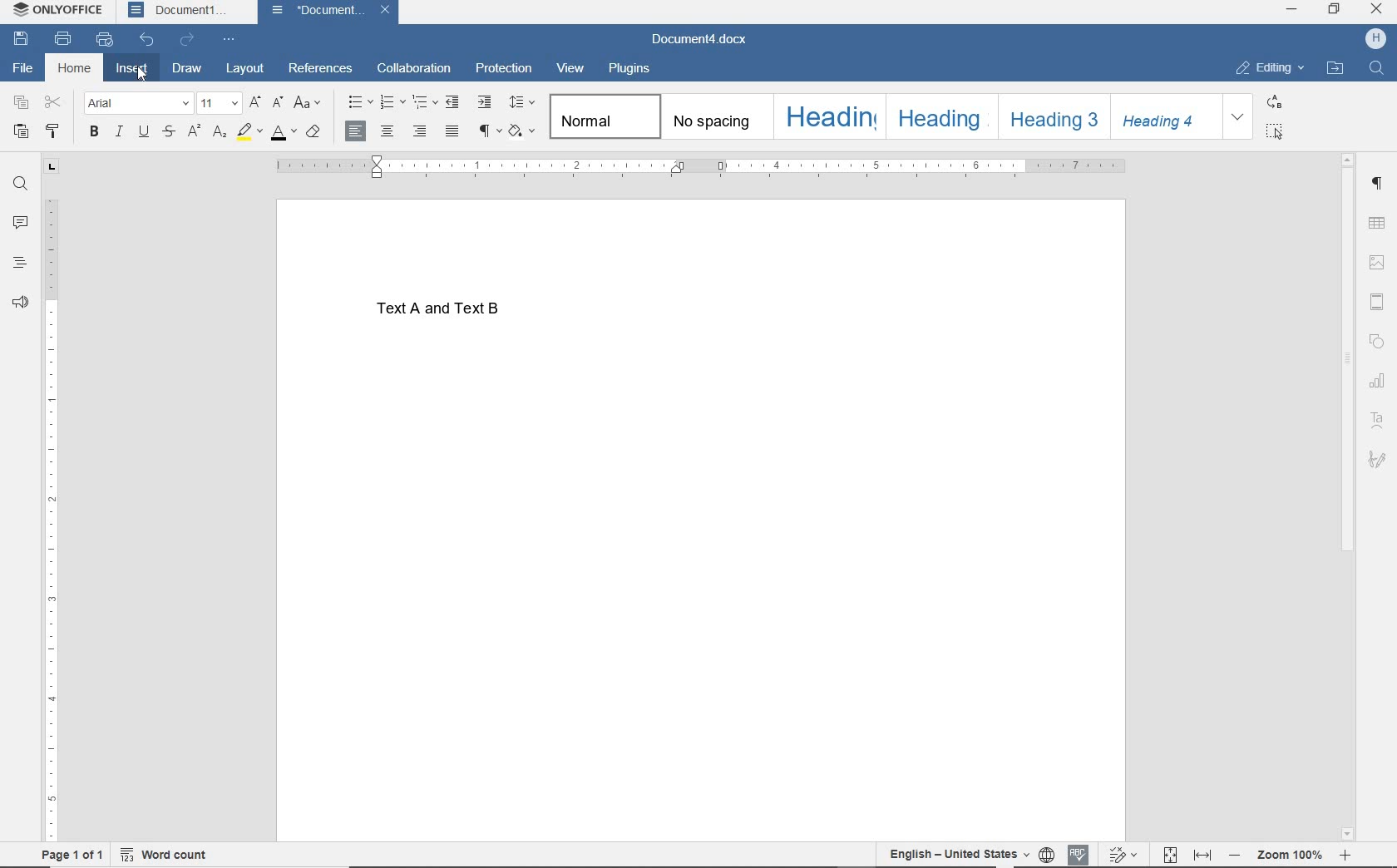 Image resolution: width=1397 pixels, height=868 pixels. What do you see at coordinates (254, 104) in the screenshot?
I see `INCREMENT FONT SIZE` at bounding box center [254, 104].